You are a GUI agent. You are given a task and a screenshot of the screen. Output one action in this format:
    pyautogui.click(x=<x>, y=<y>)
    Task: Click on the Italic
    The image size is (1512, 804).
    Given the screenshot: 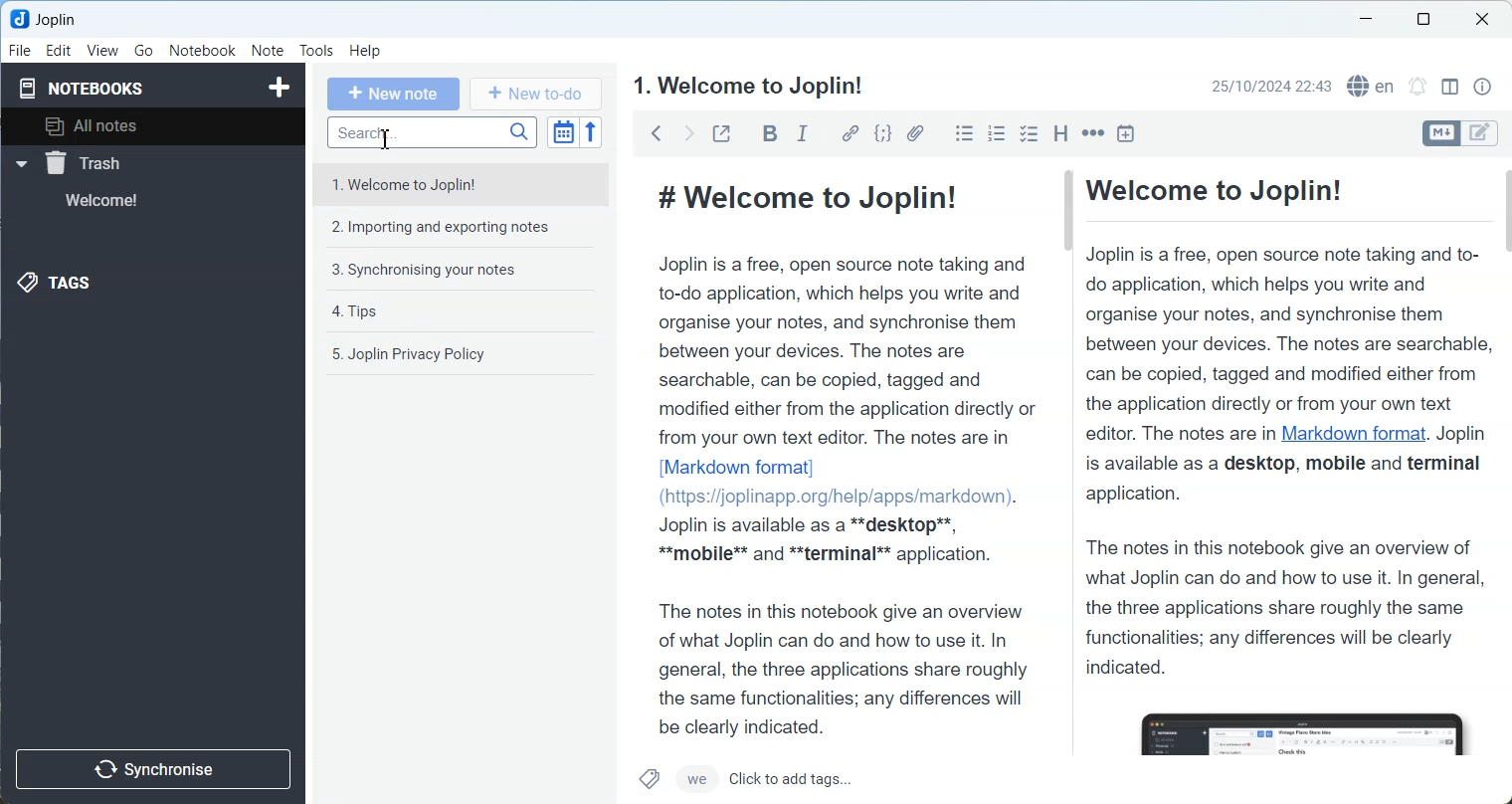 What is the action you would take?
    pyautogui.click(x=805, y=133)
    